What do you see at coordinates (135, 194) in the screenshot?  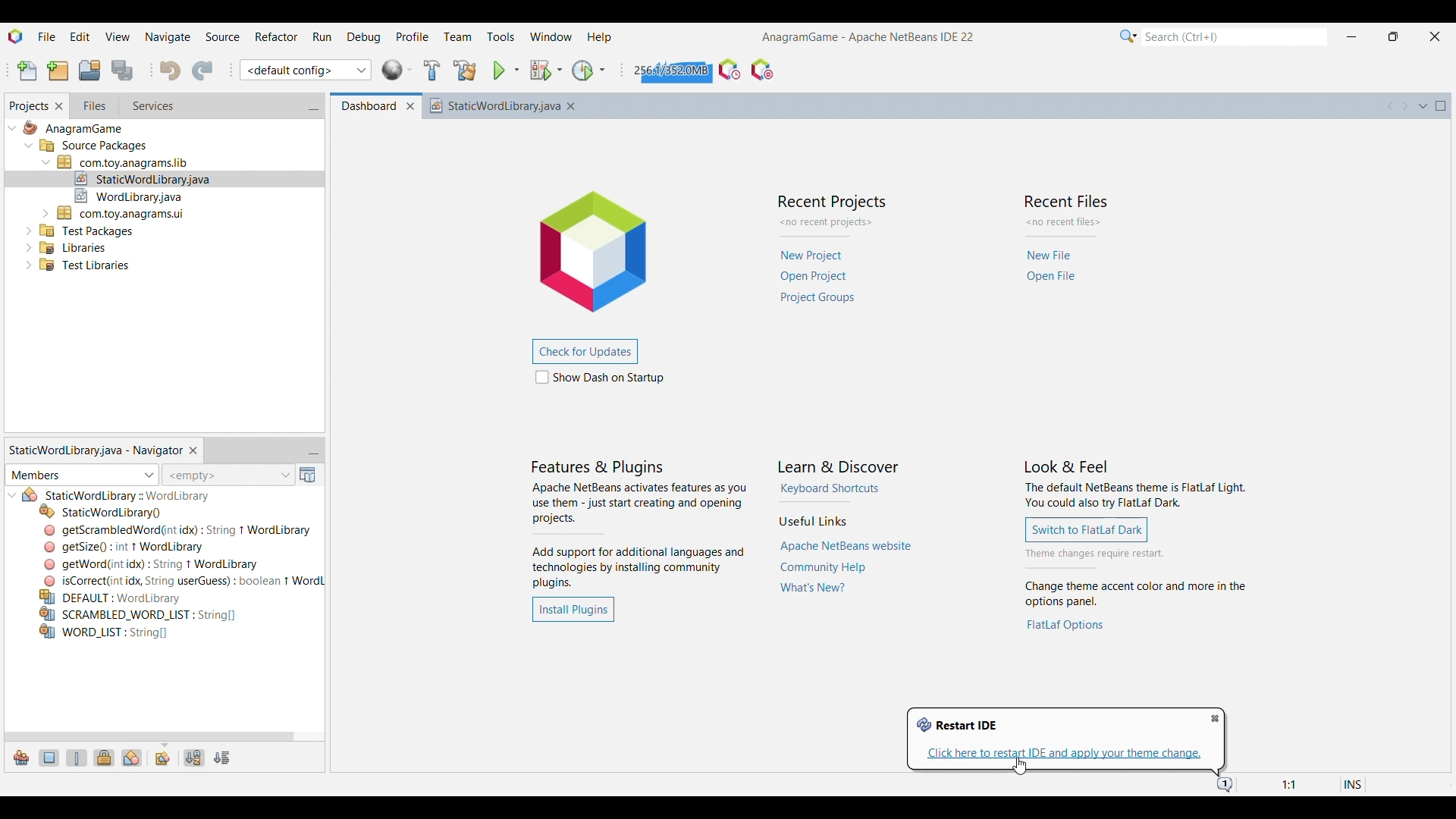 I see `` at bounding box center [135, 194].